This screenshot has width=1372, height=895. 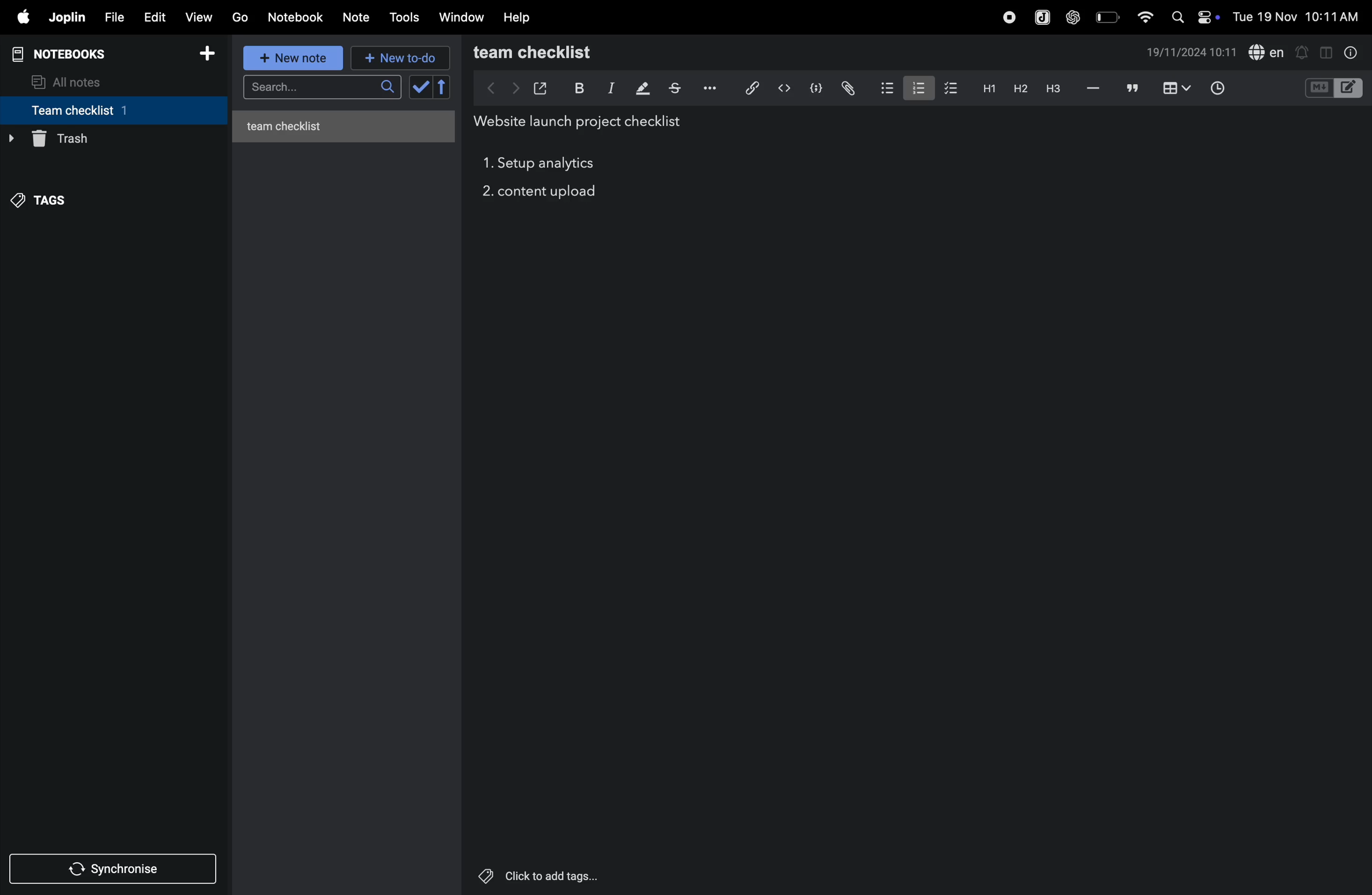 What do you see at coordinates (784, 88) in the screenshot?
I see `inline code` at bounding box center [784, 88].